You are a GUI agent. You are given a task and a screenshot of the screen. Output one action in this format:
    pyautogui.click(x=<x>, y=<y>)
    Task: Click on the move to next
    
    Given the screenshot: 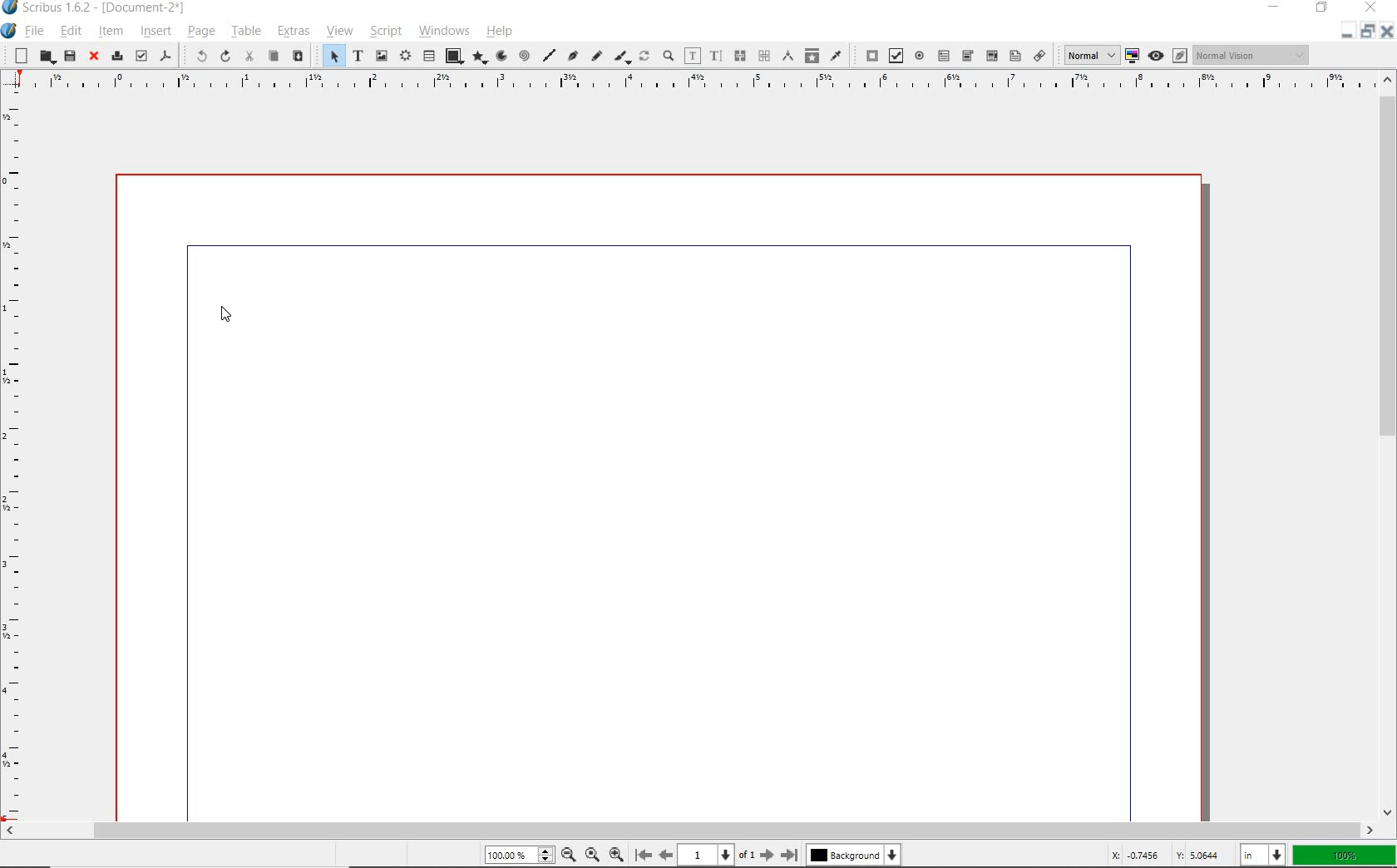 What is the action you would take?
    pyautogui.click(x=768, y=855)
    